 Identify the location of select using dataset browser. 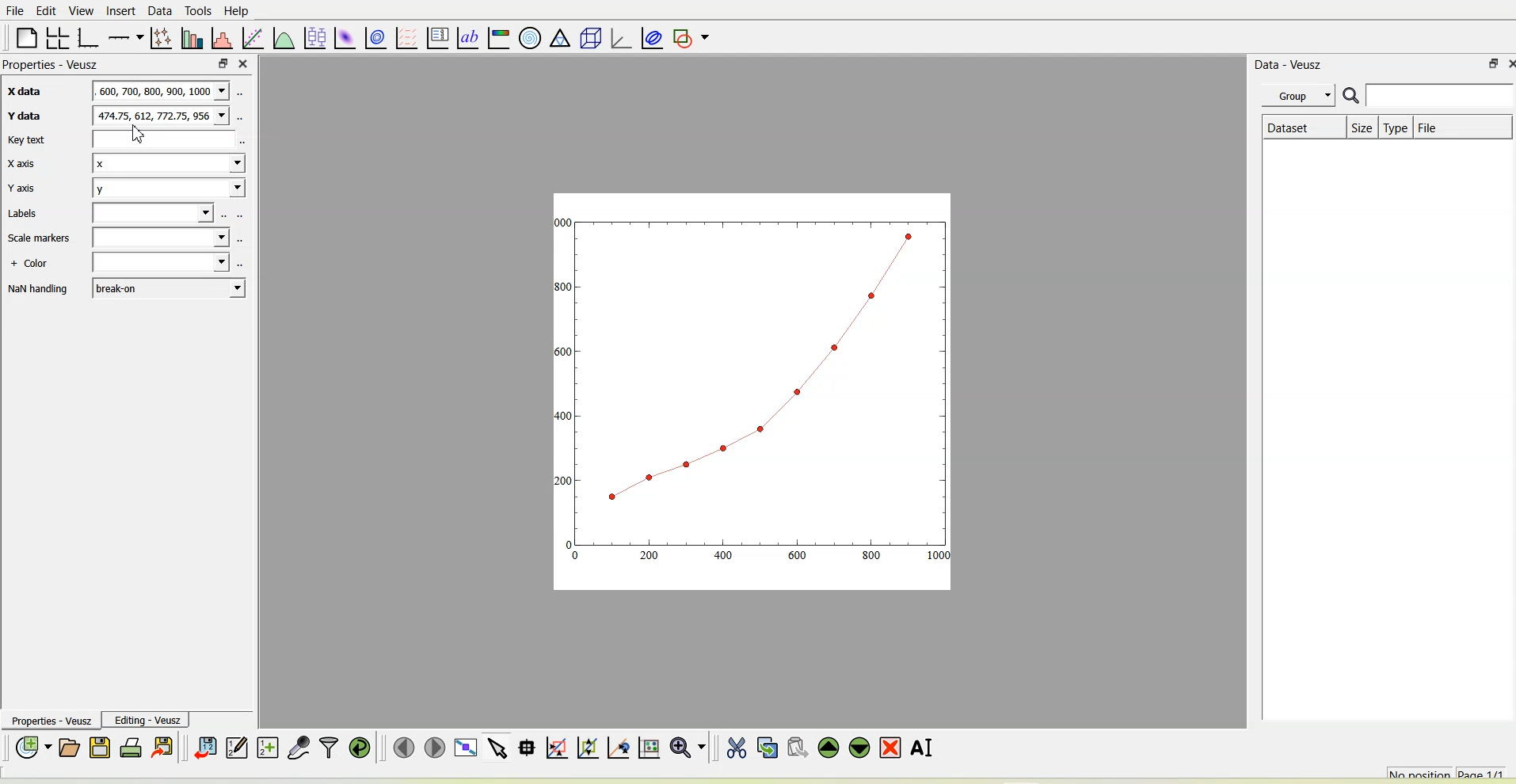
(241, 91).